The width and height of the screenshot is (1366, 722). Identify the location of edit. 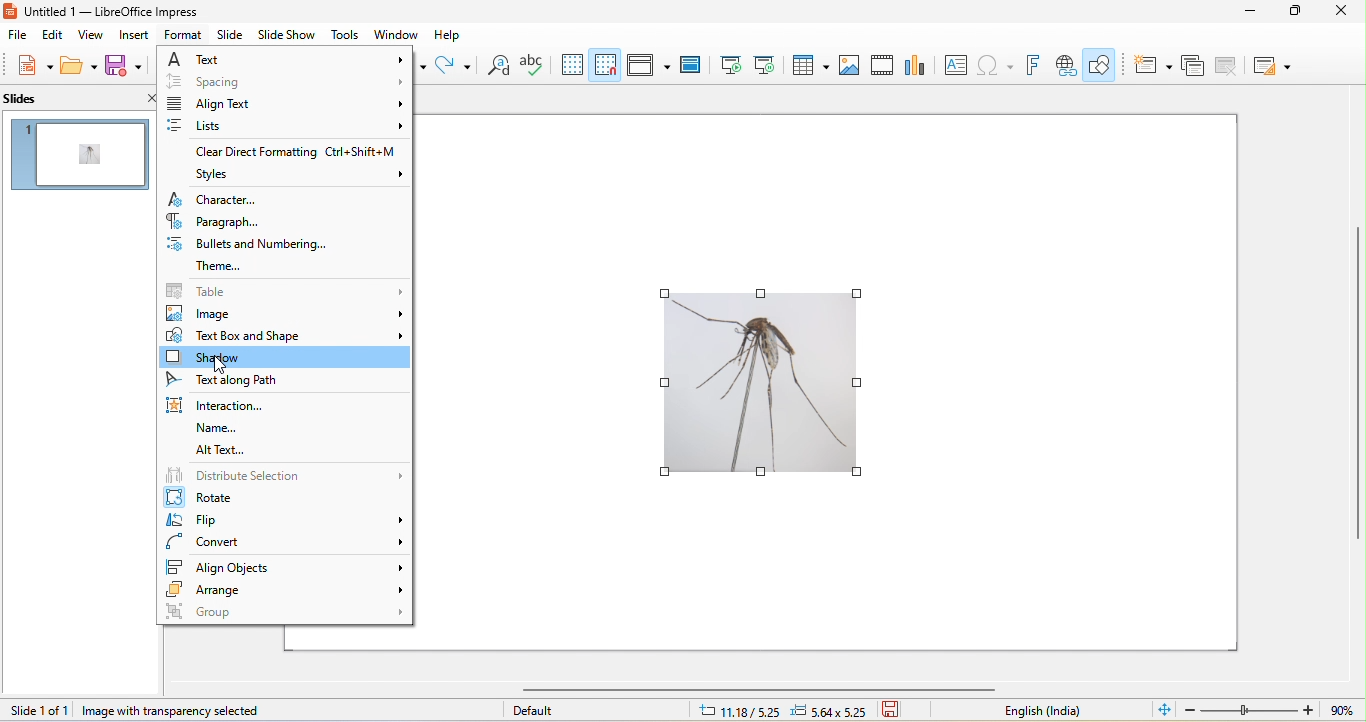
(51, 35).